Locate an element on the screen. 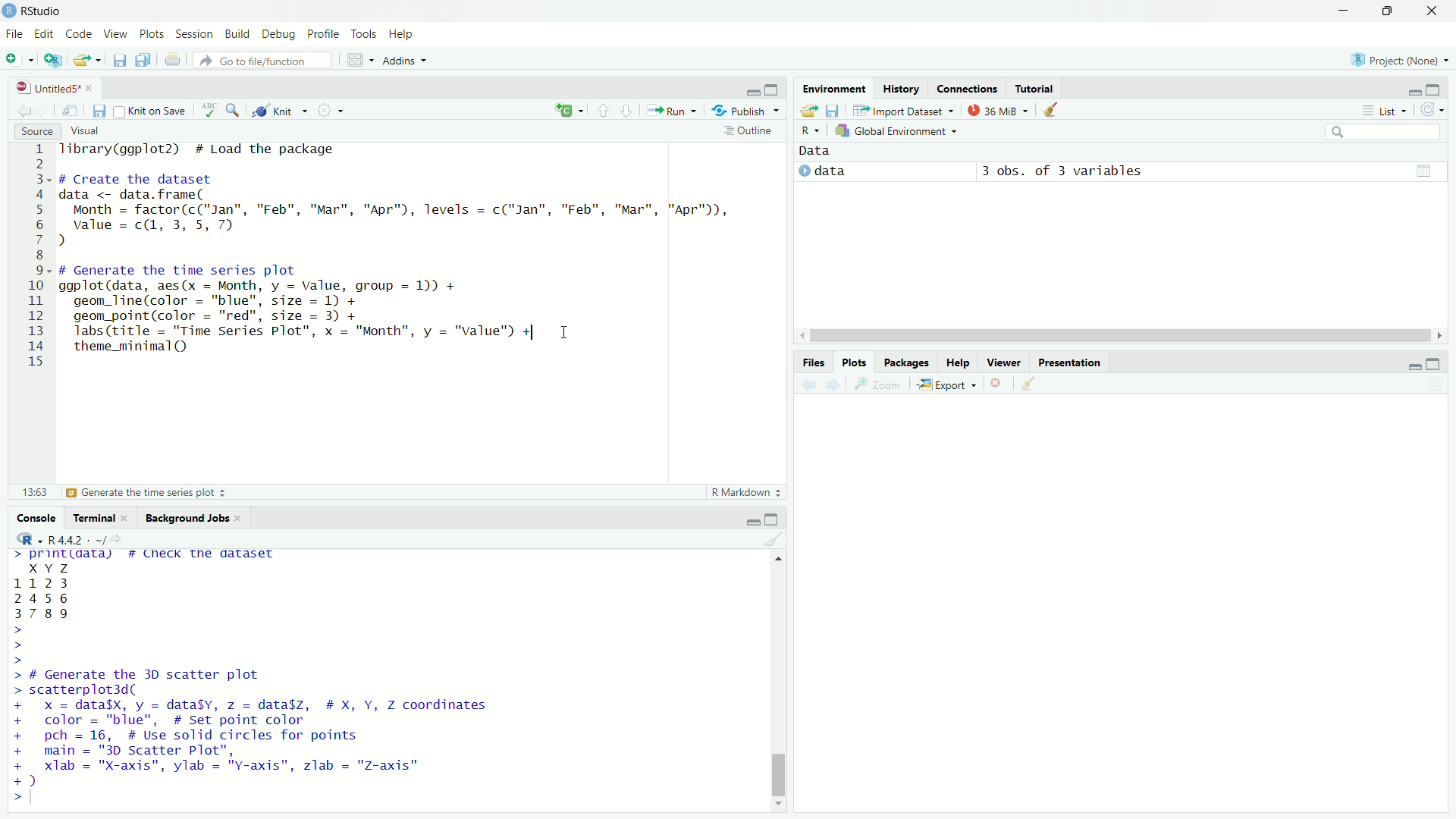  debug is located at coordinates (280, 34).